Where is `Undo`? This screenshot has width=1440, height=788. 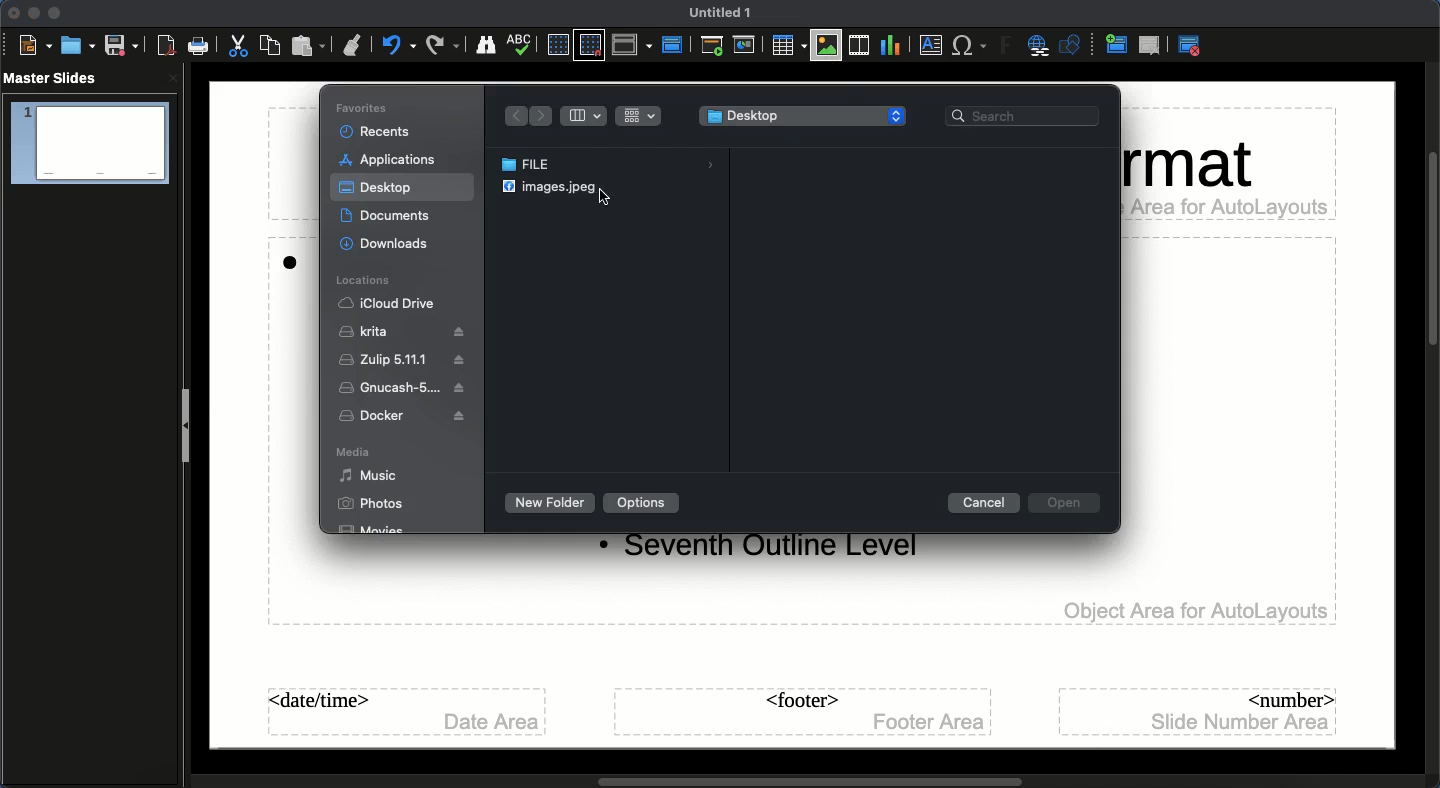 Undo is located at coordinates (399, 45).